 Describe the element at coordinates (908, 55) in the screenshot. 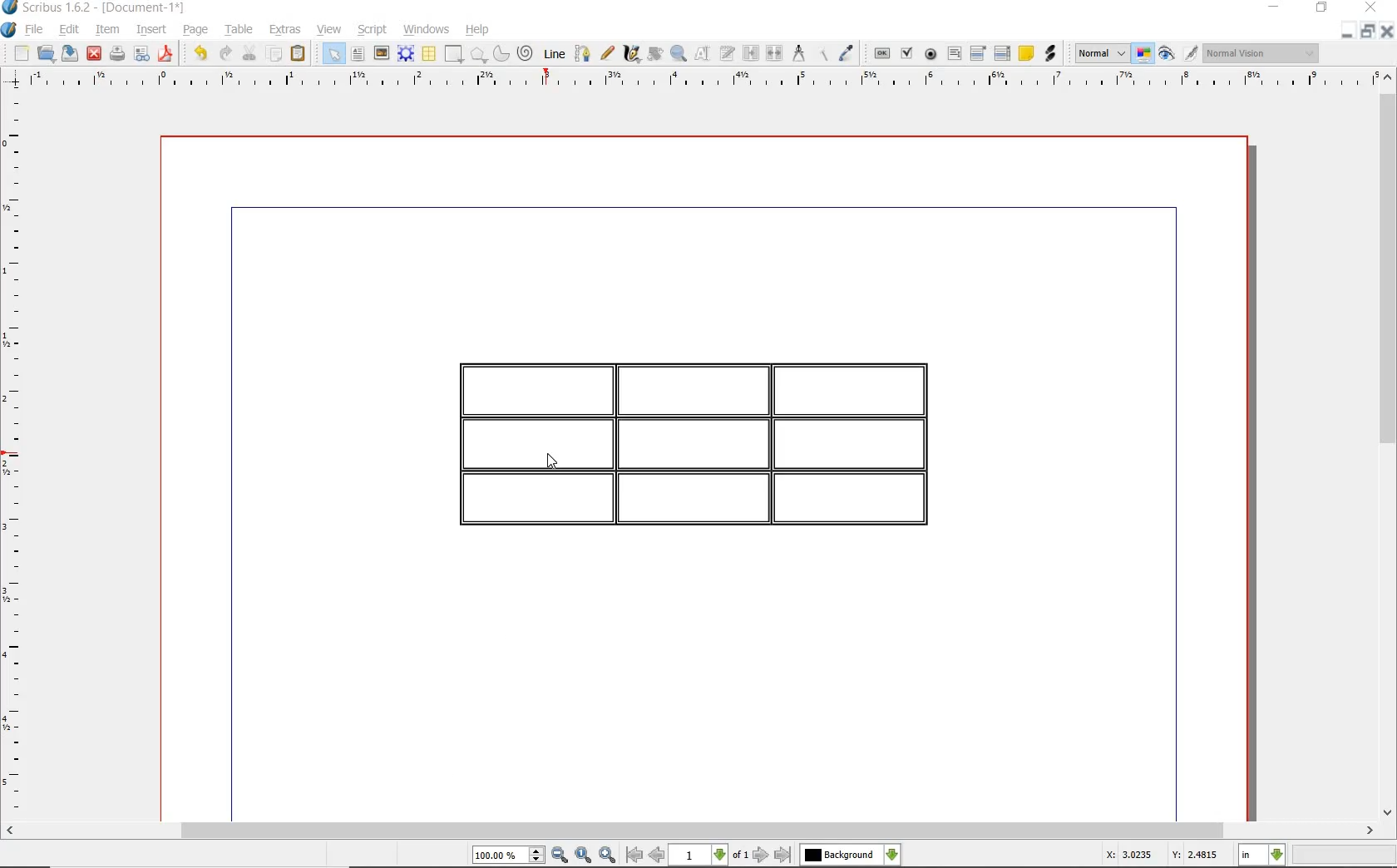

I see `pdf check box` at that location.